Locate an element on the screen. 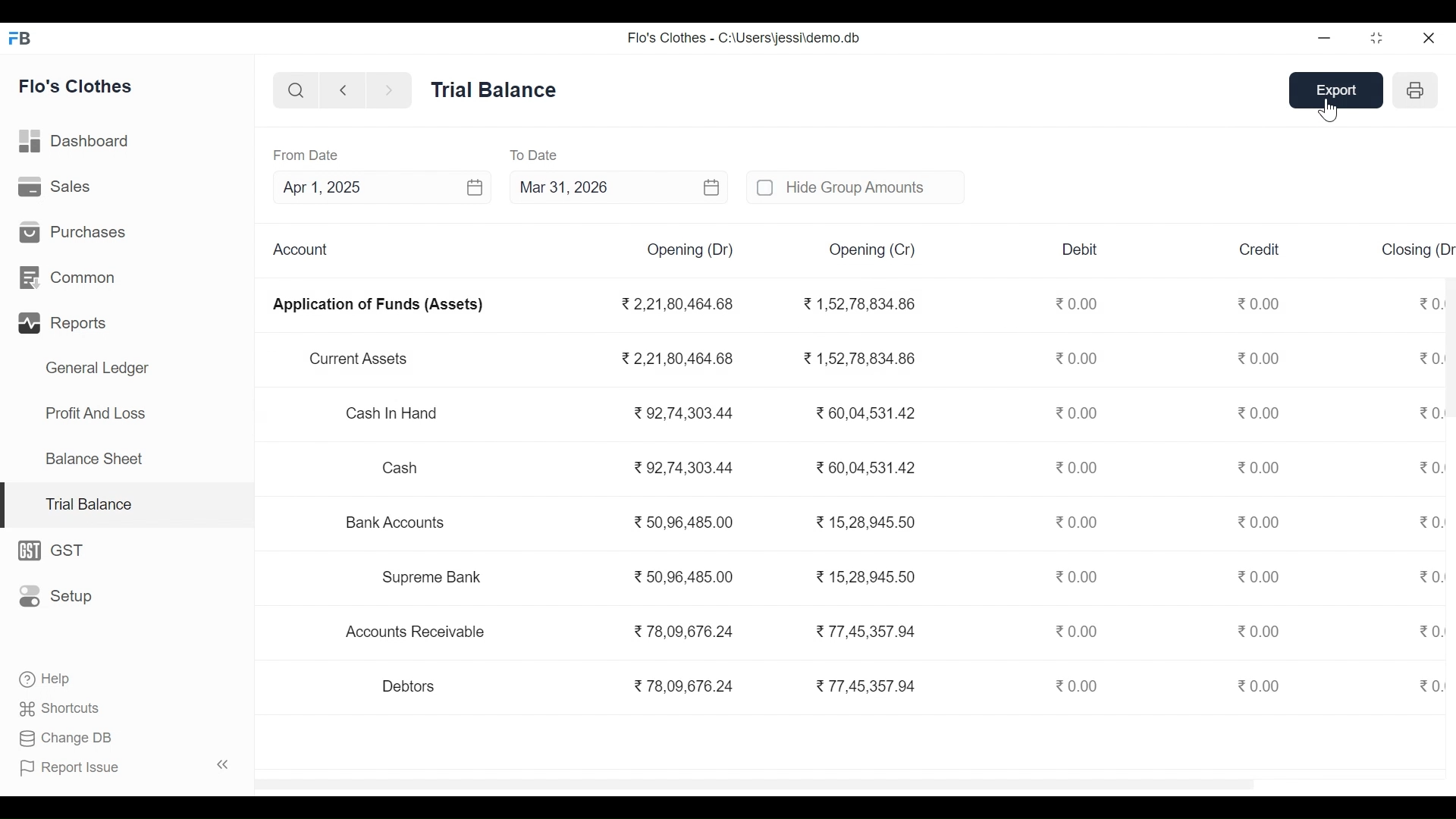 This screenshot has height=819, width=1456. Credit is located at coordinates (1260, 248).